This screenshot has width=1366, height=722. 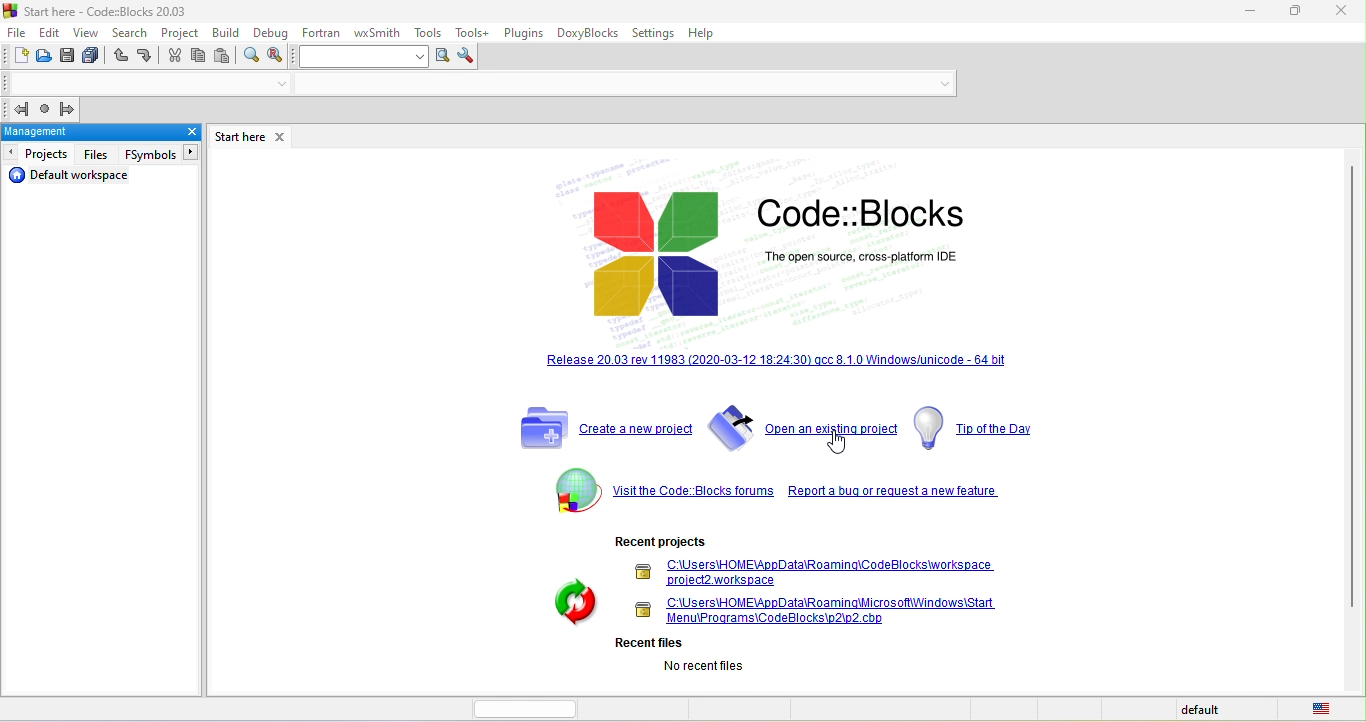 What do you see at coordinates (70, 54) in the screenshot?
I see `save` at bounding box center [70, 54].